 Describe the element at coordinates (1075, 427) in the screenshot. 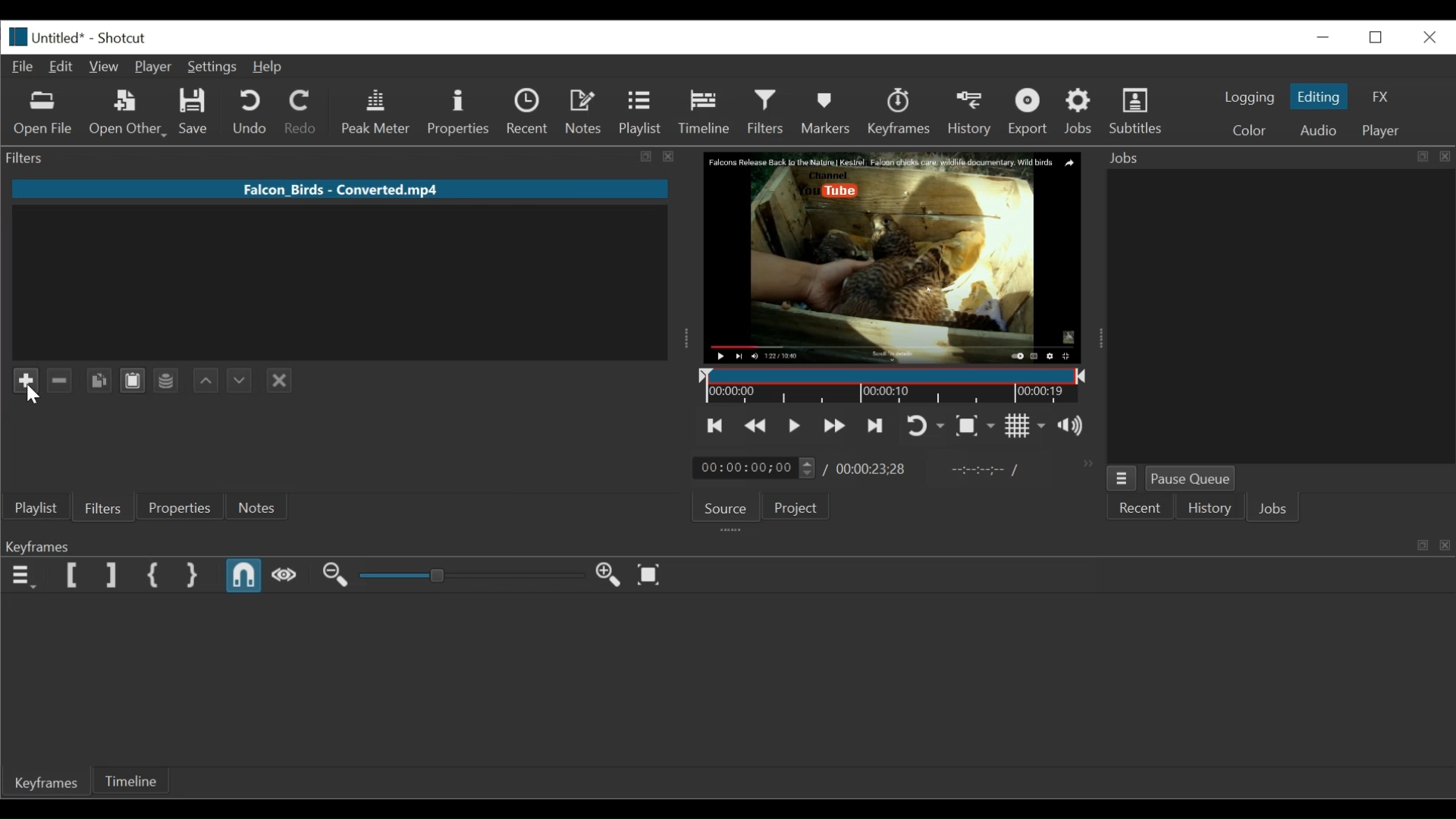

I see `Show the volume control` at that location.